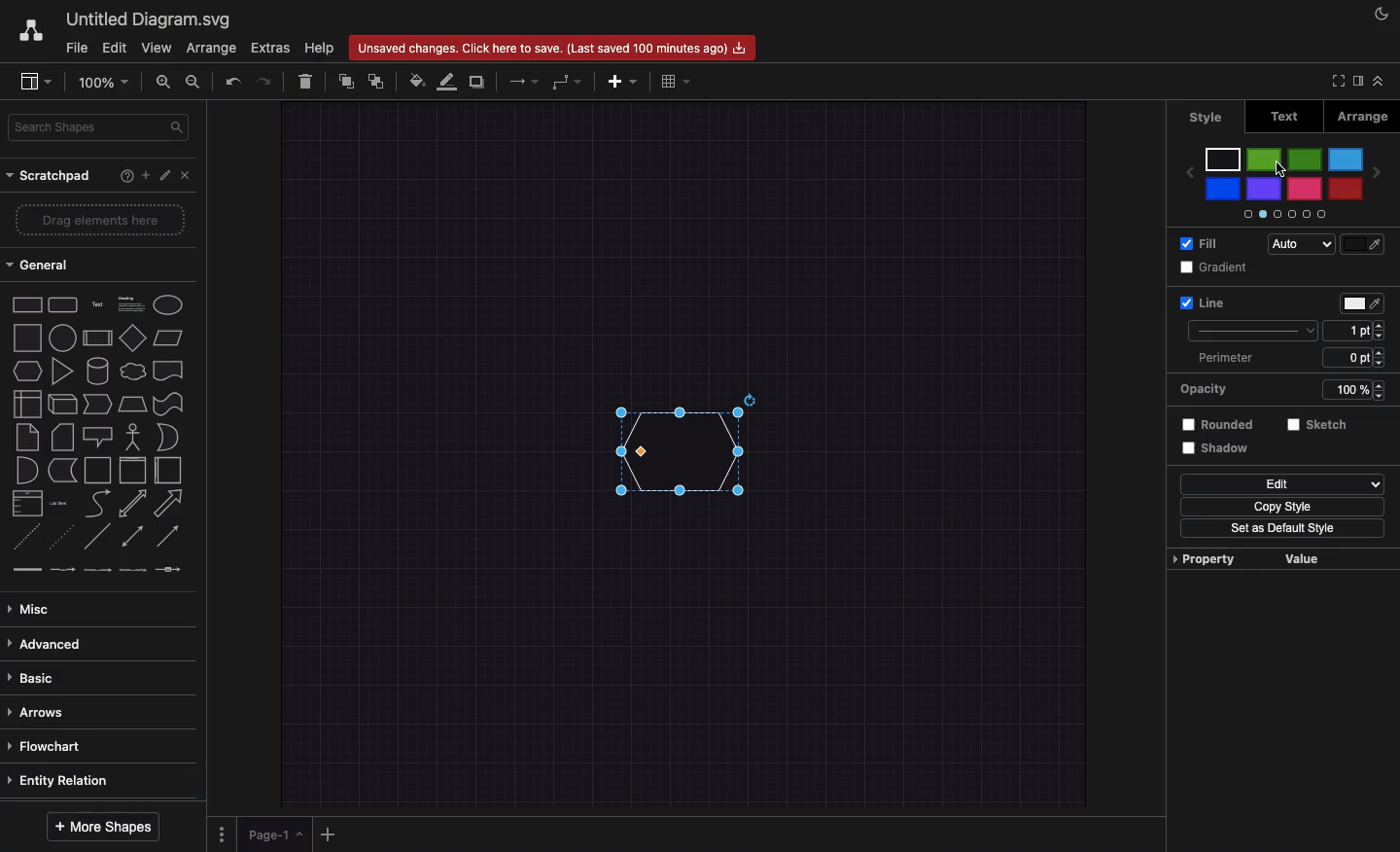  Describe the element at coordinates (1336, 81) in the screenshot. I see `Full screen` at that location.